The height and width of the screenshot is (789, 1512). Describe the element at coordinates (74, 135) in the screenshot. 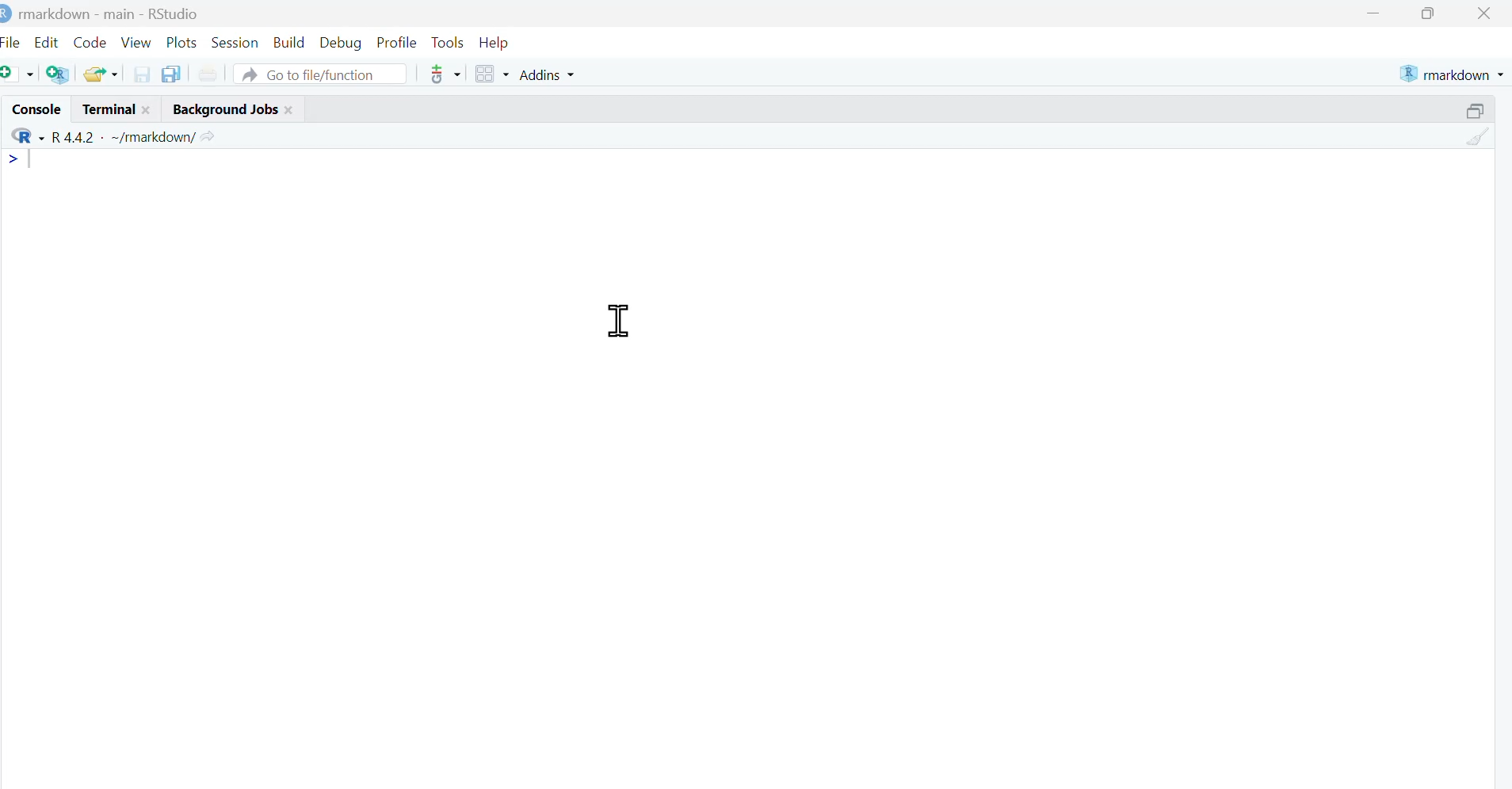

I see `R 4.4.2` at that location.